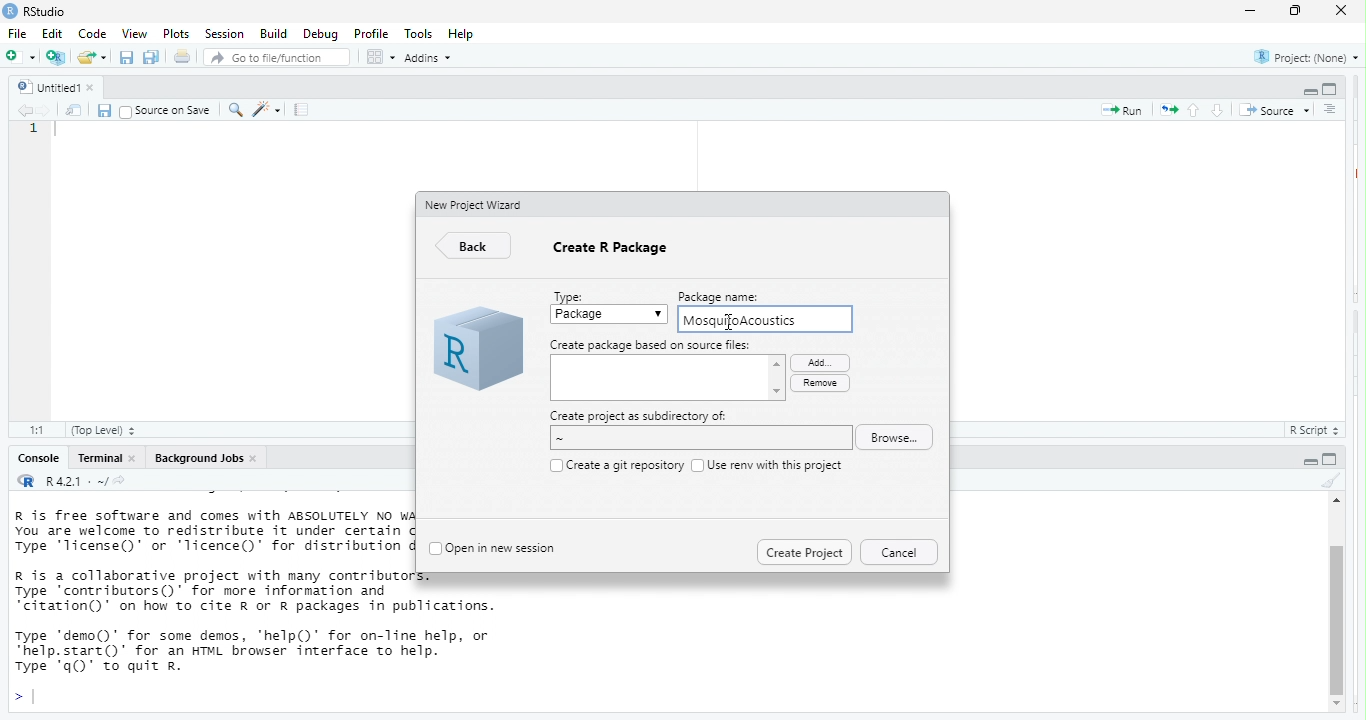 Image resolution: width=1366 pixels, height=720 pixels. I want to click on View, so click(133, 34).